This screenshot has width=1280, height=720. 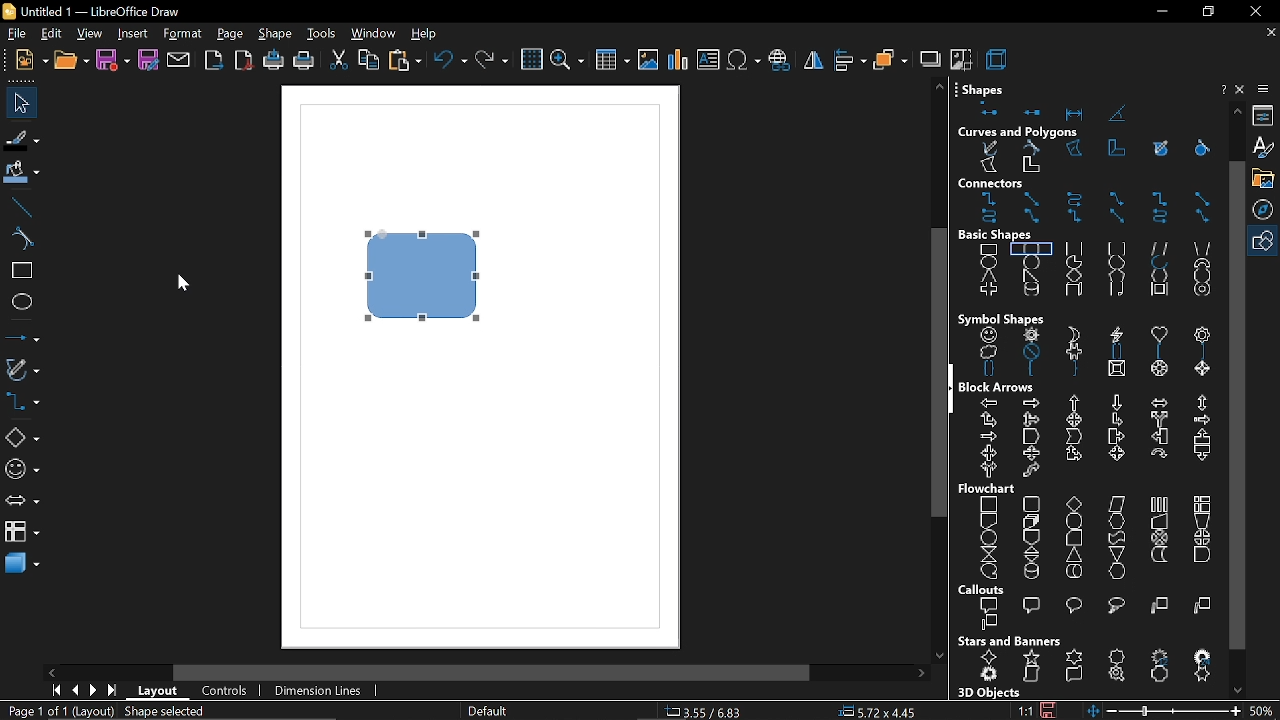 What do you see at coordinates (1265, 148) in the screenshot?
I see `styles` at bounding box center [1265, 148].